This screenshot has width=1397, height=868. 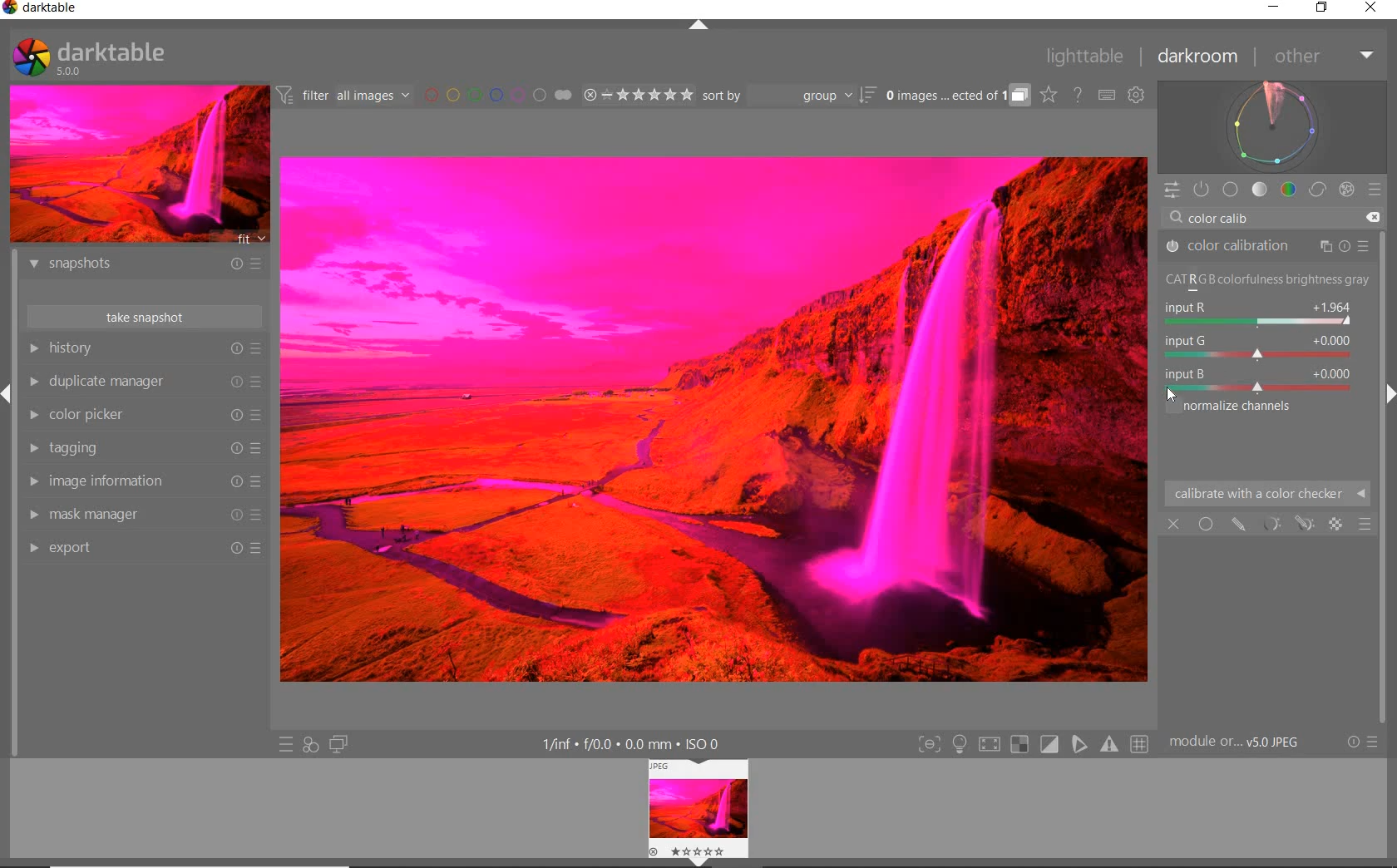 I want to click on color picker, so click(x=143, y=415).